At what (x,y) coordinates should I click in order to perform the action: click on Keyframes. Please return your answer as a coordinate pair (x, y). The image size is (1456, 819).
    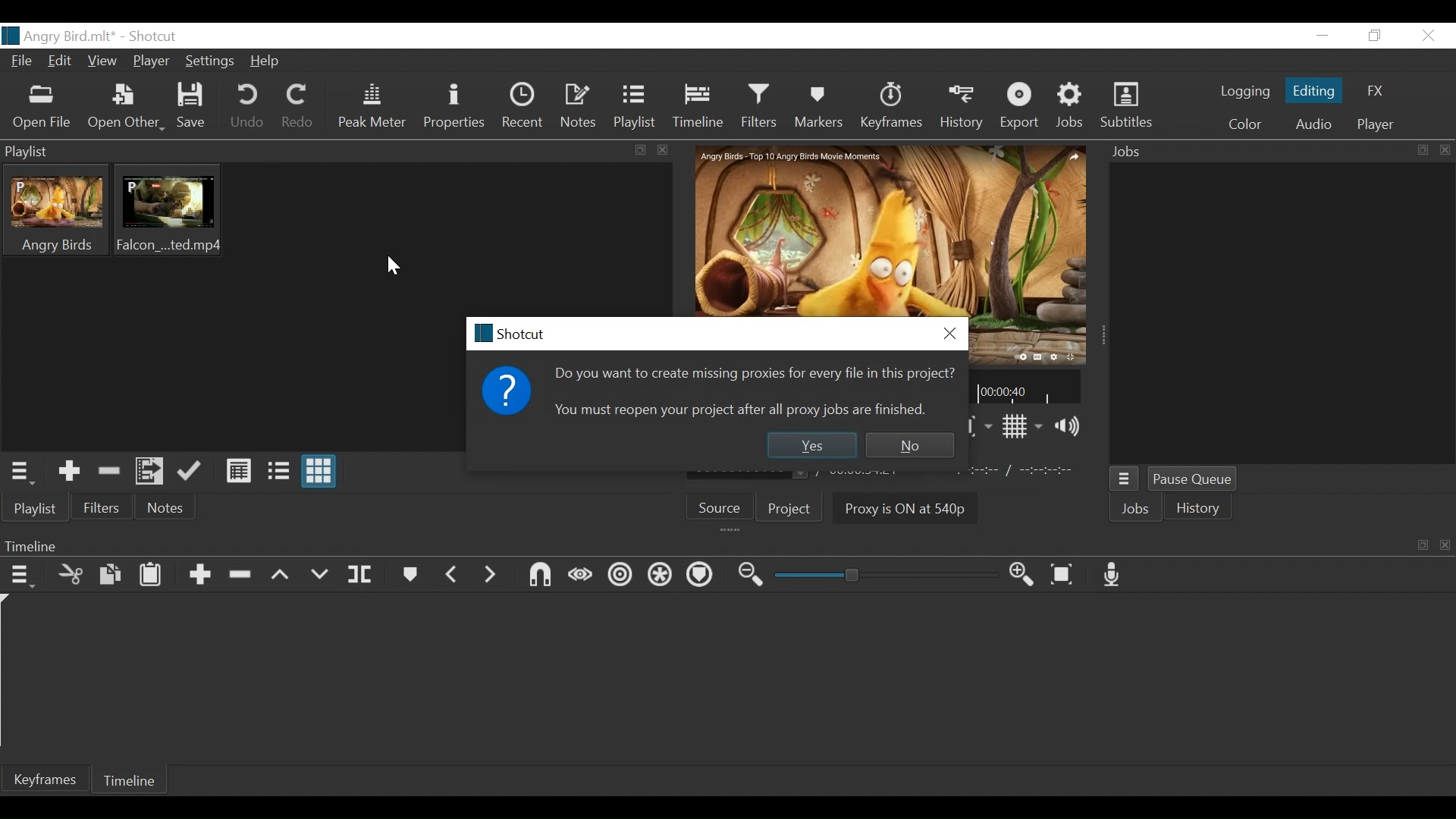
    Looking at the image, I should click on (890, 108).